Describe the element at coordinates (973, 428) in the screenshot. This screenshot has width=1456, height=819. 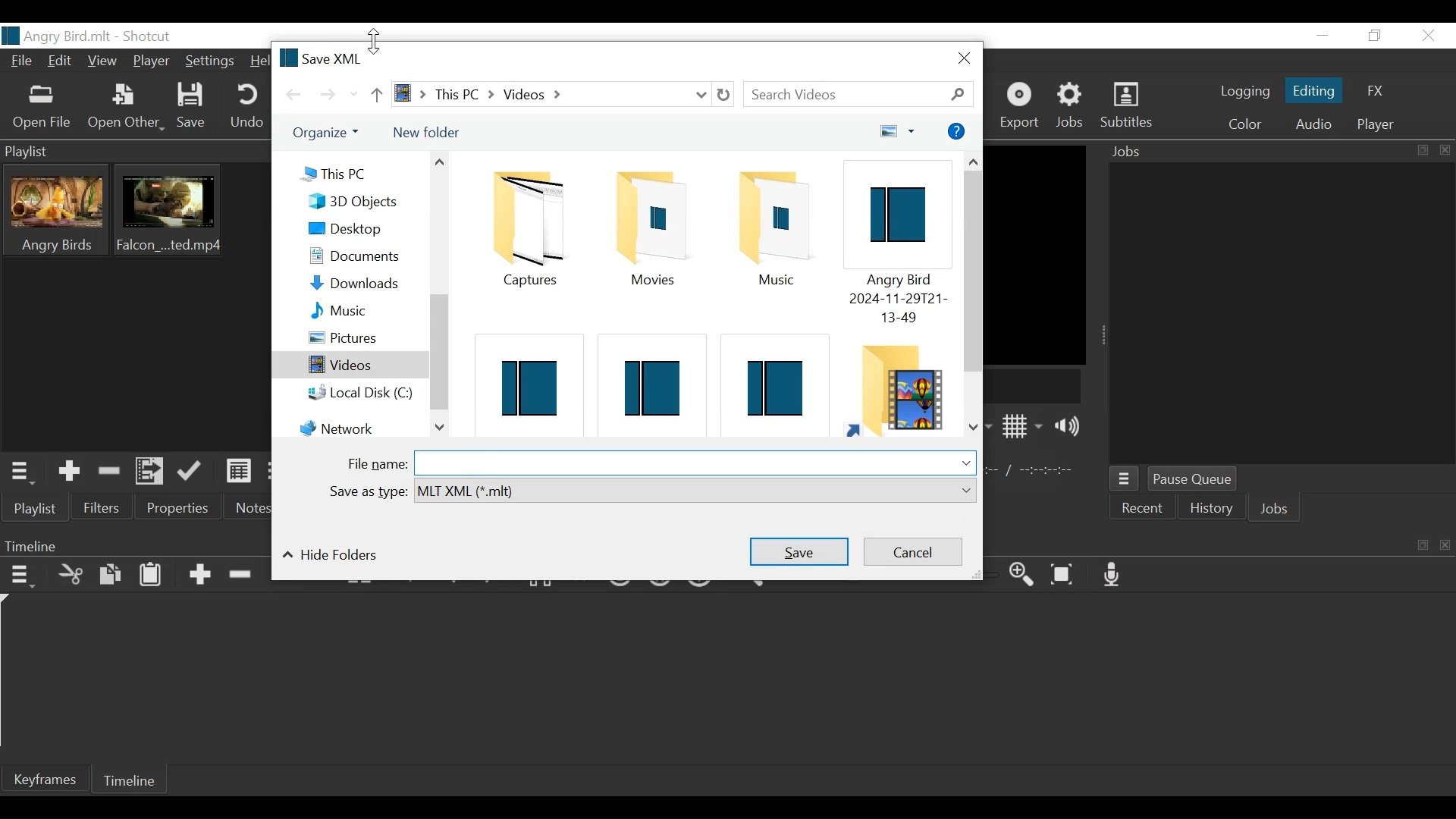
I see `Scroll down` at that location.